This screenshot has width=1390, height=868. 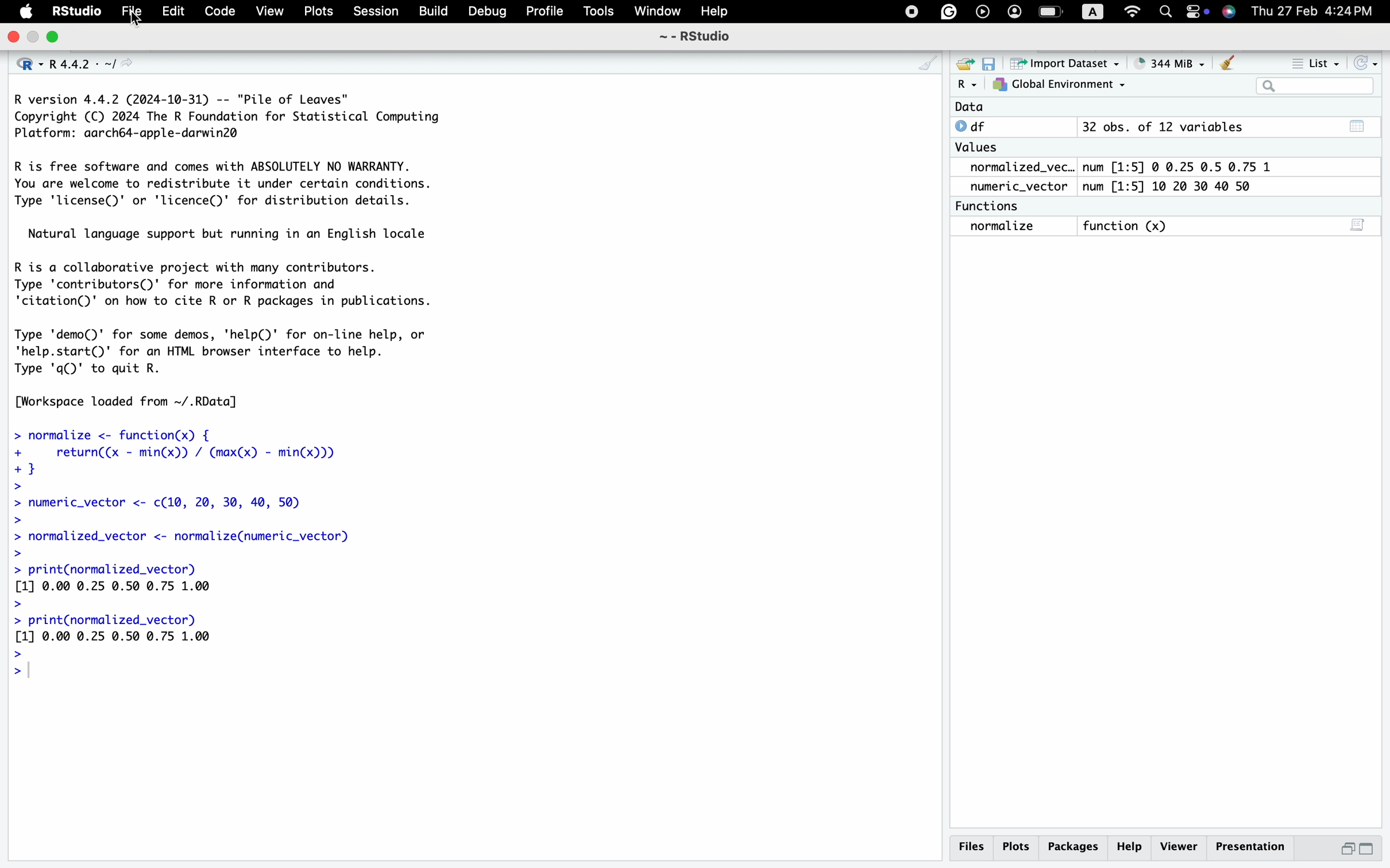 I want to click on close, so click(x=11, y=38).